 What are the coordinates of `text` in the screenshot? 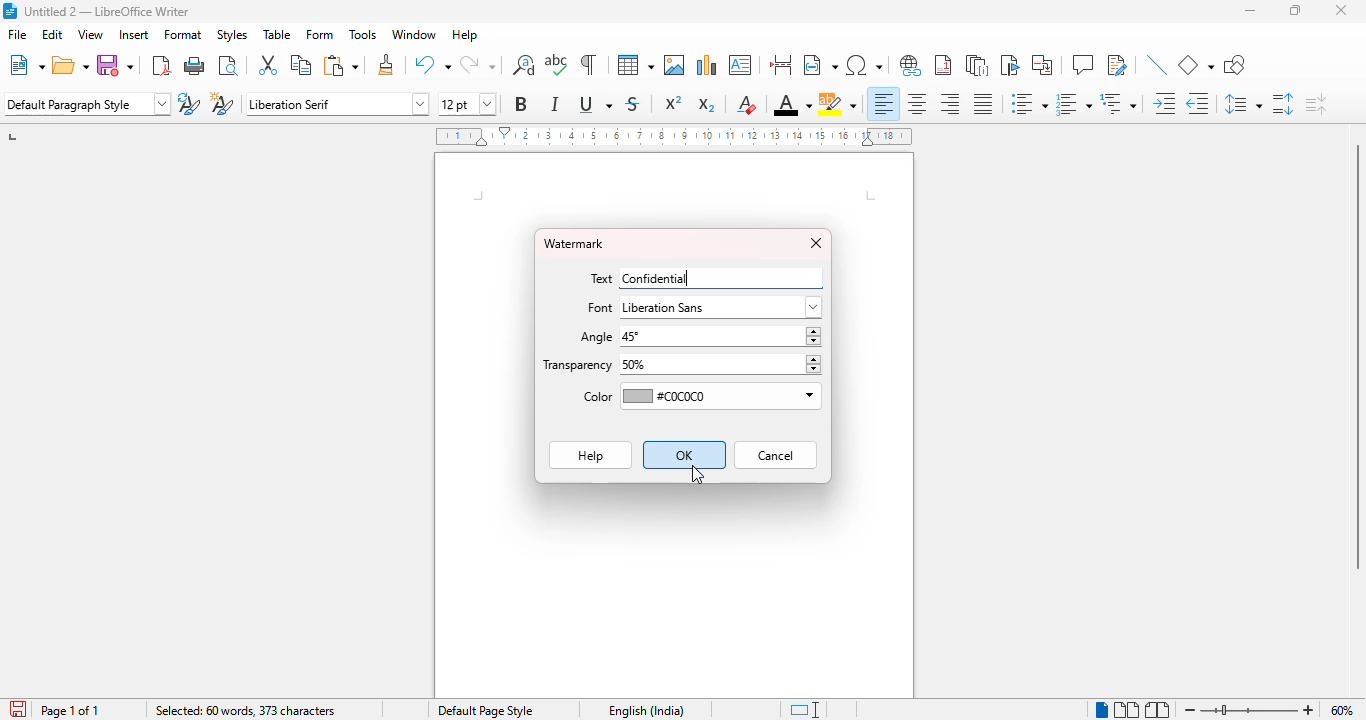 It's located at (603, 278).